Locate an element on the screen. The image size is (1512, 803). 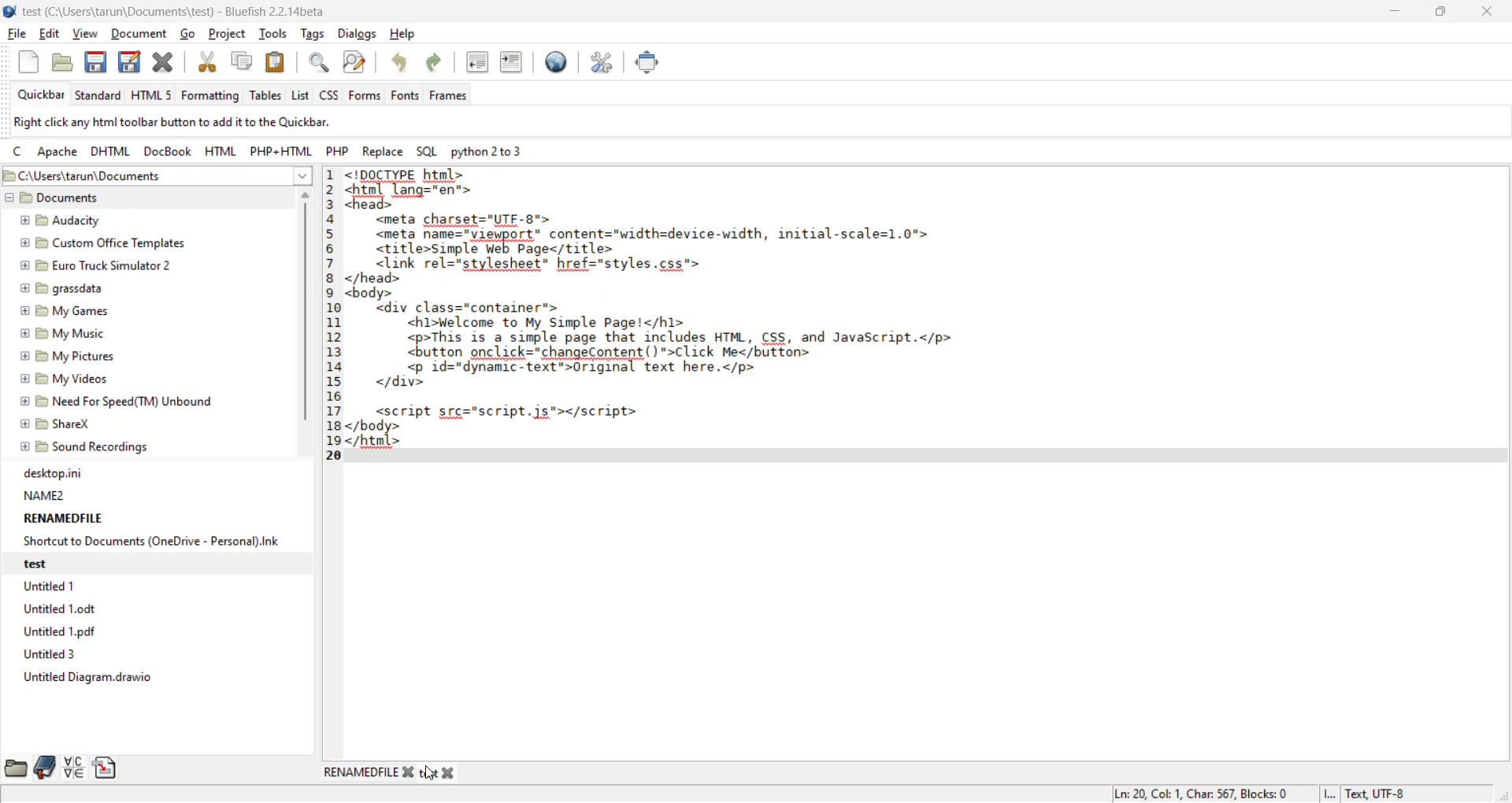
metadata is located at coordinates (1262, 794).